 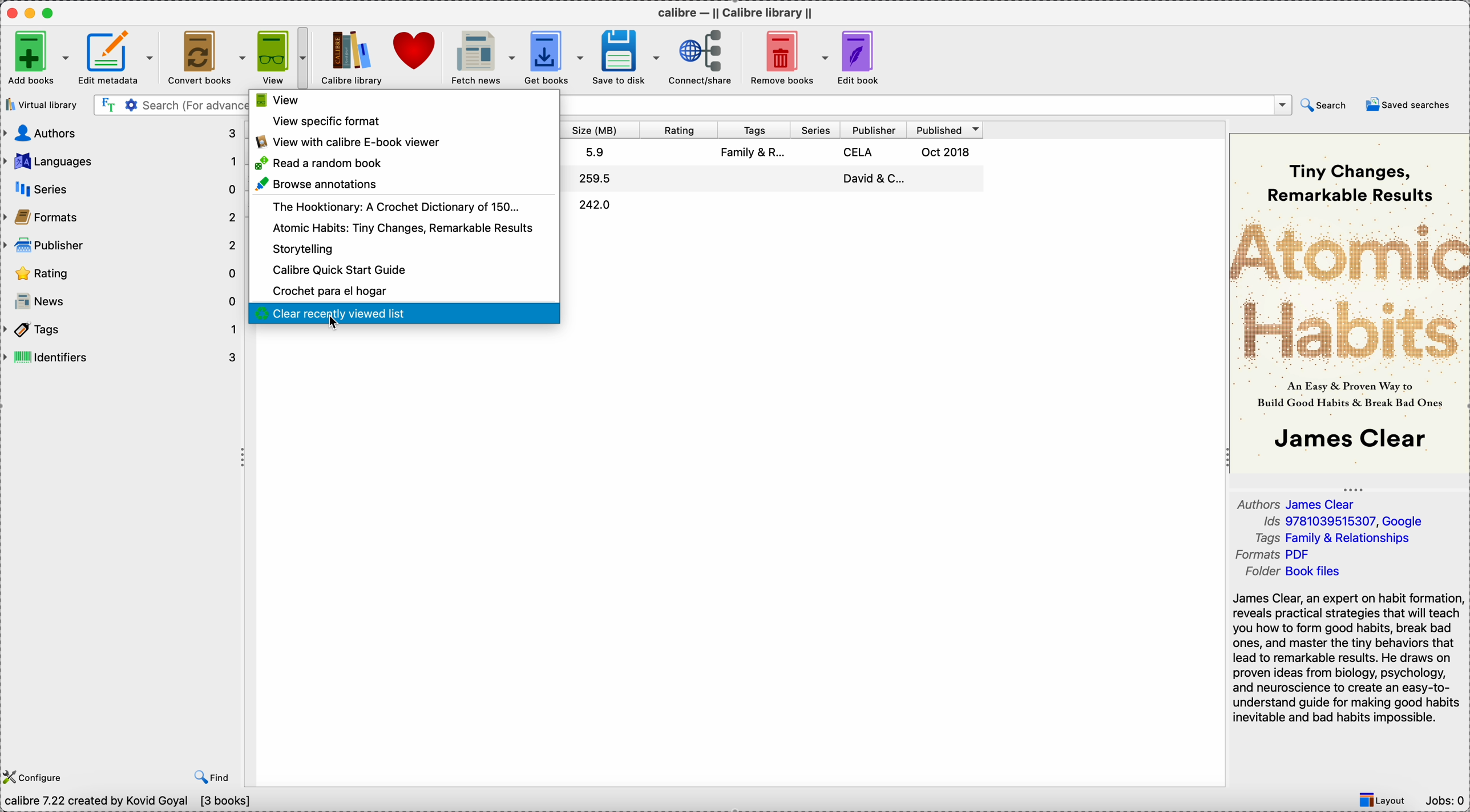 What do you see at coordinates (874, 128) in the screenshot?
I see `publisher` at bounding box center [874, 128].